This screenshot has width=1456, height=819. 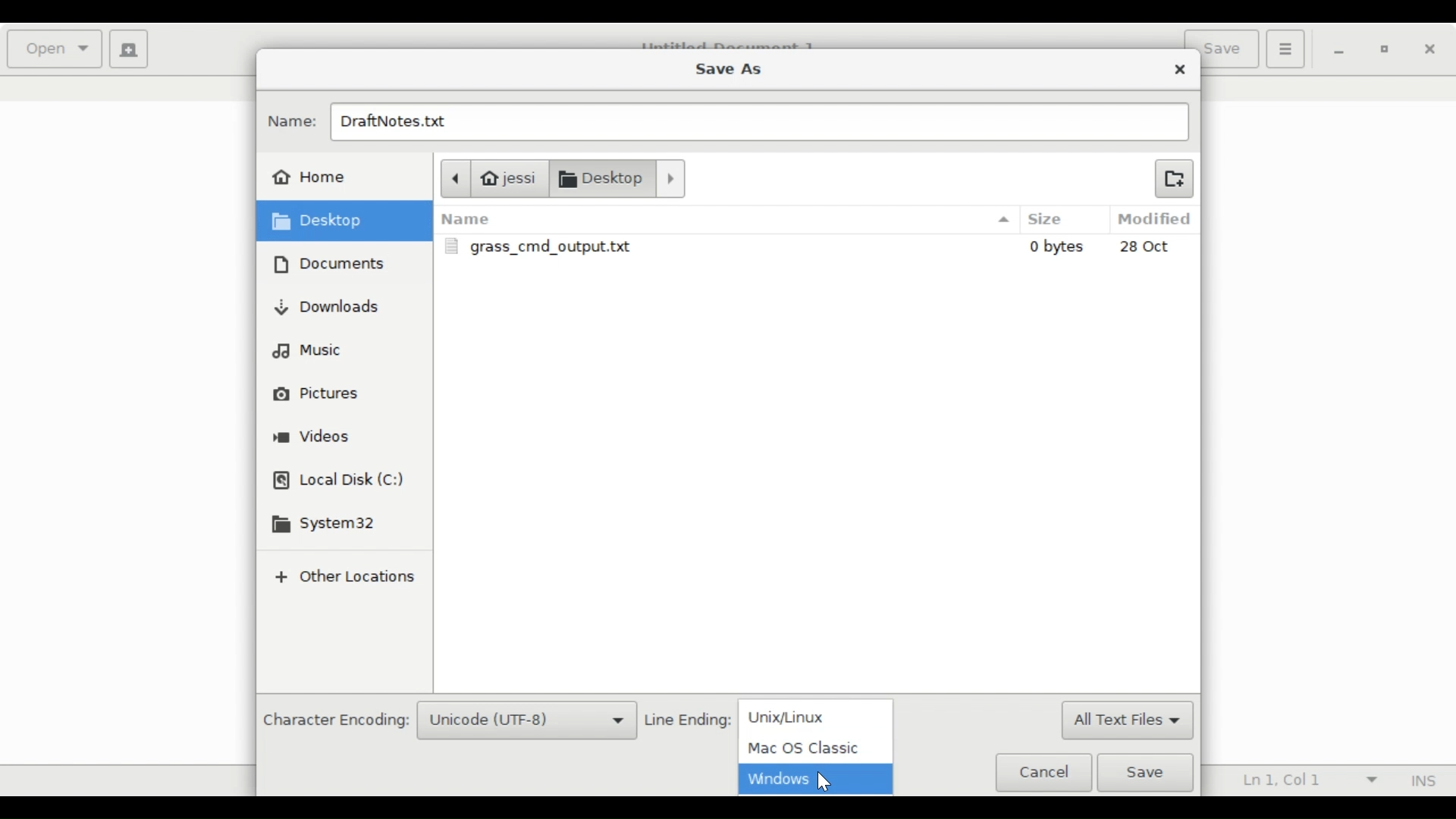 What do you see at coordinates (726, 219) in the screenshot?
I see `Name` at bounding box center [726, 219].